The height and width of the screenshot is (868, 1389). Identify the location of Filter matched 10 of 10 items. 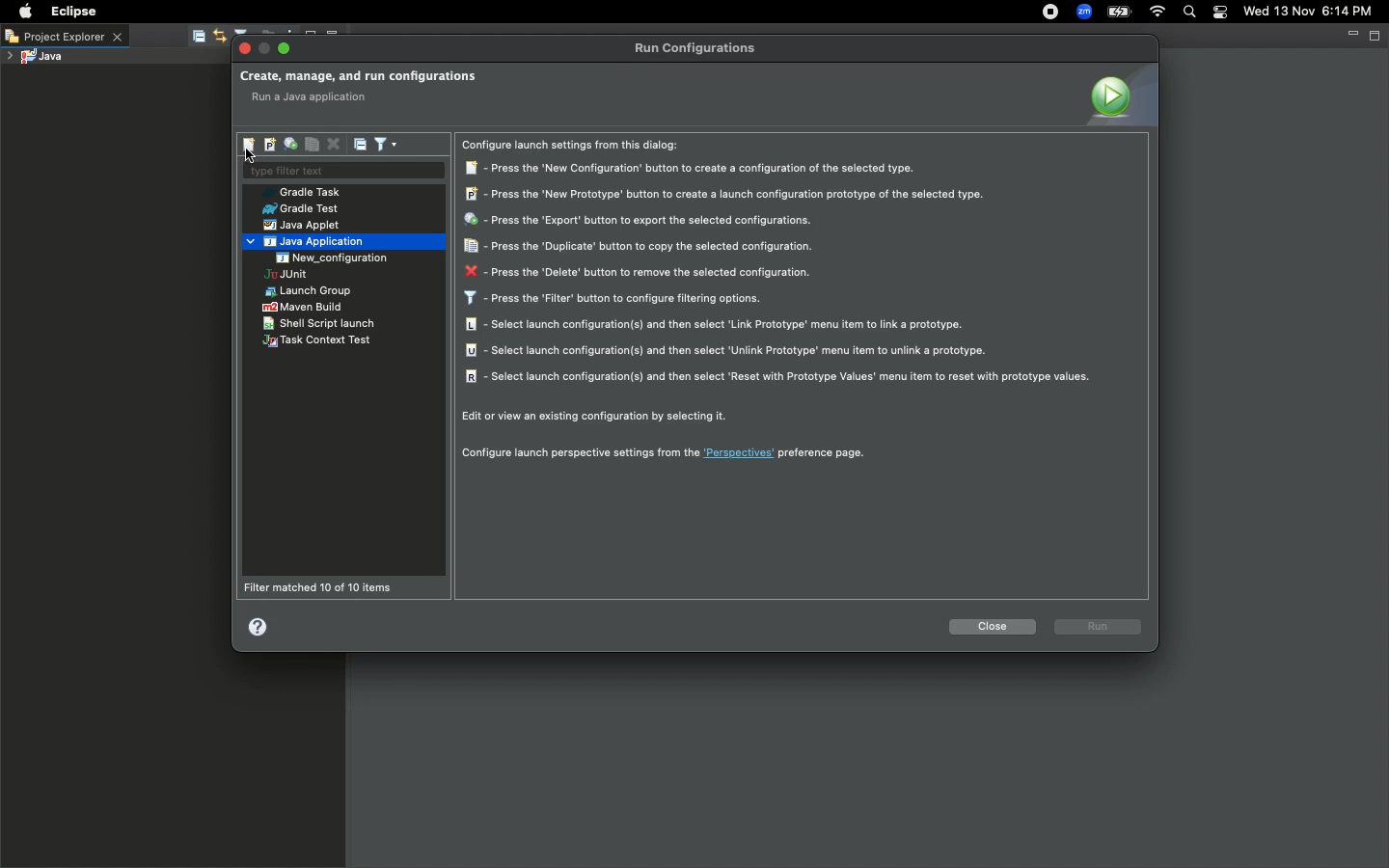
(322, 587).